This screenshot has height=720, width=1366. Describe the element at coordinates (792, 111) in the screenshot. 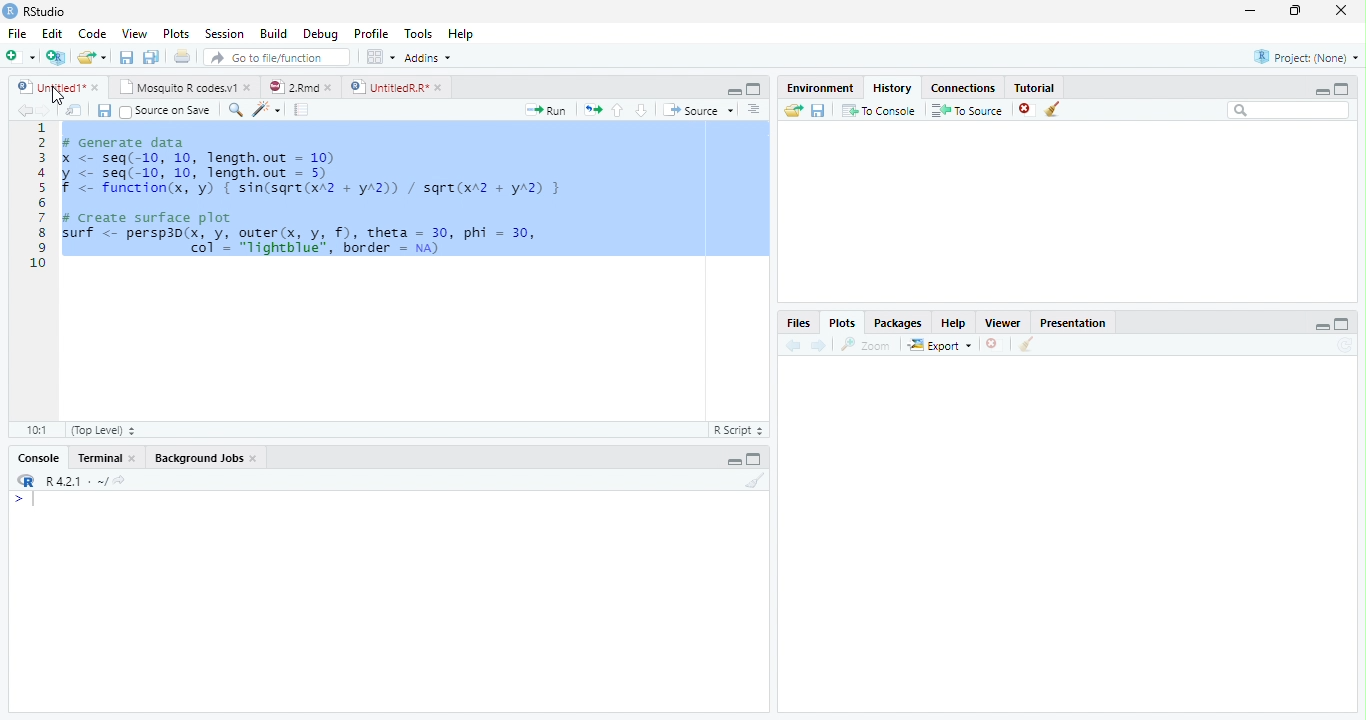

I see `Load history from an existing file` at that location.